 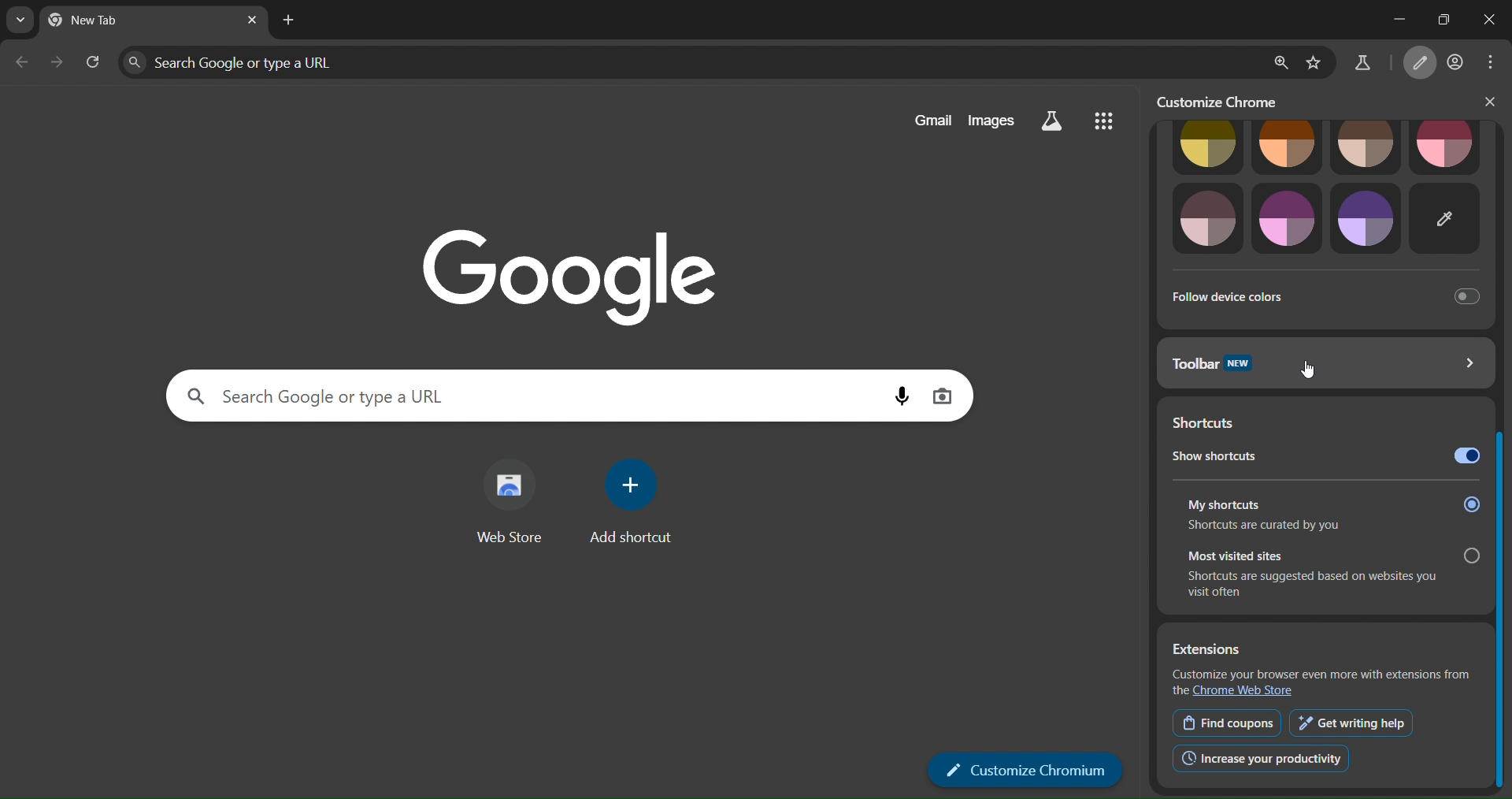 What do you see at coordinates (1317, 658) in the screenshot?
I see `Extensions Customize your browser even more with extensions from` at bounding box center [1317, 658].